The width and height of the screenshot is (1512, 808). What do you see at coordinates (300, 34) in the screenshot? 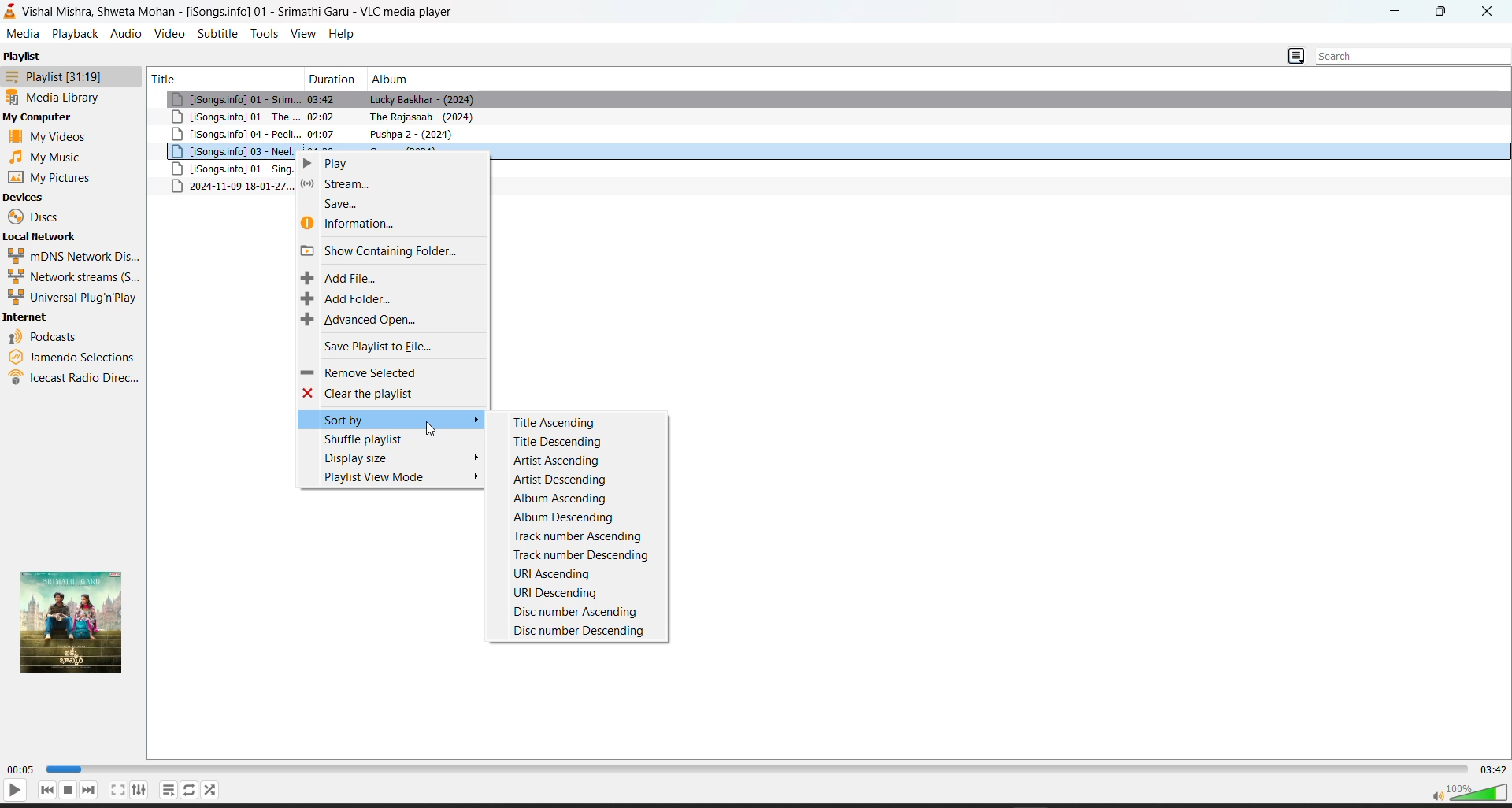
I see `view` at bounding box center [300, 34].